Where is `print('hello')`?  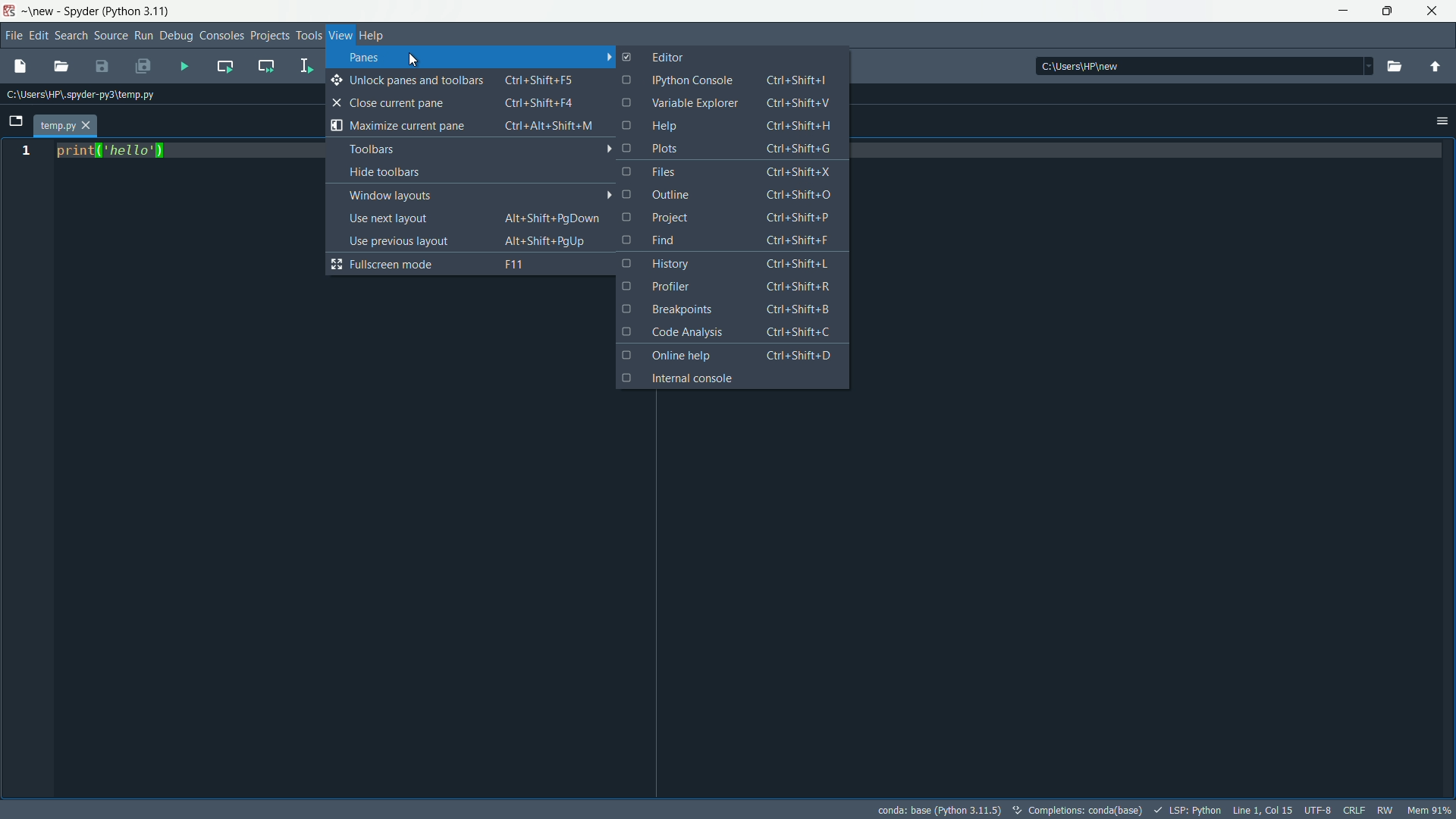 print('hello') is located at coordinates (115, 151).